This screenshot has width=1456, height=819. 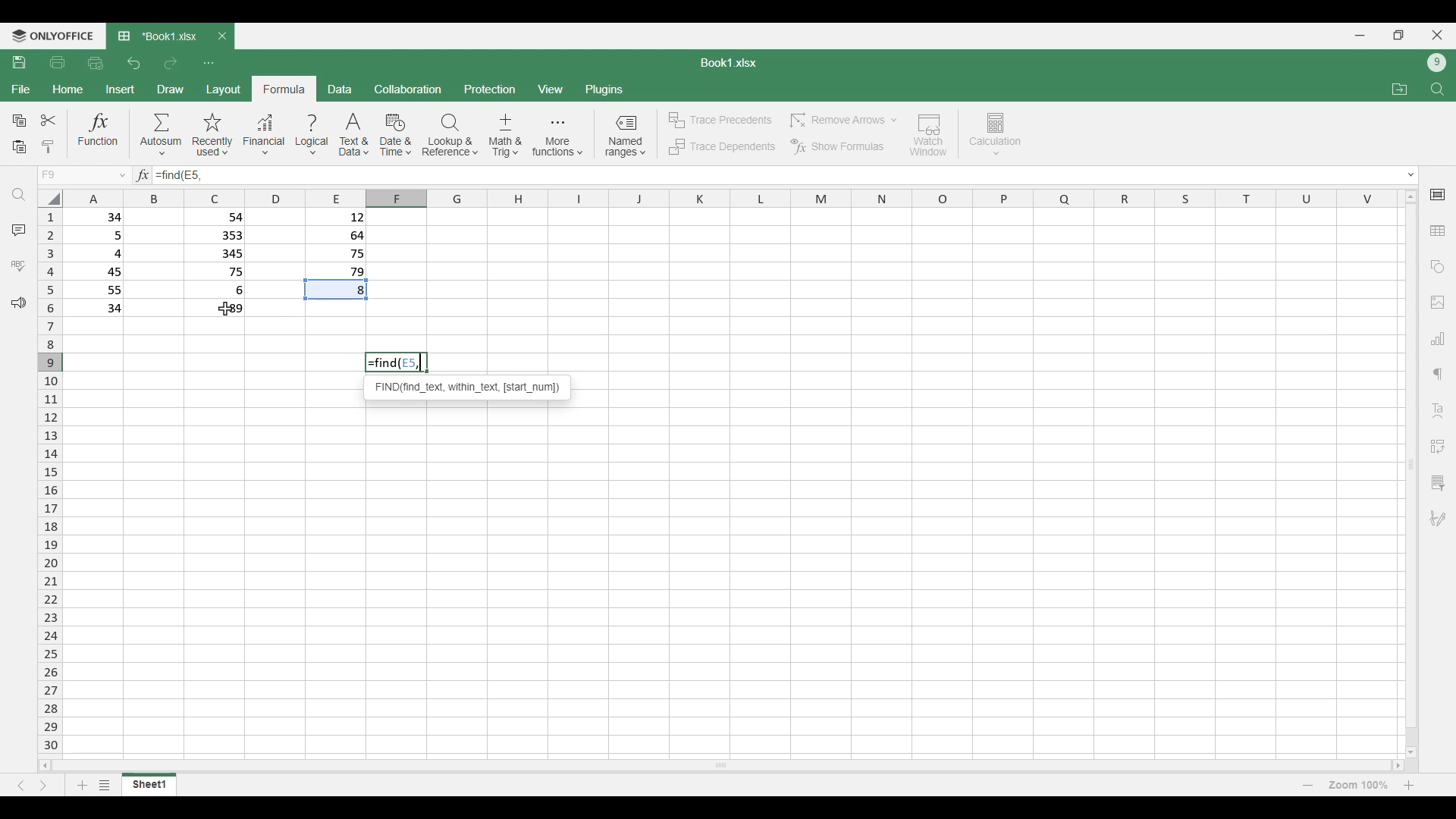 I want to click on Calculation options, so click(x=996, y=134).